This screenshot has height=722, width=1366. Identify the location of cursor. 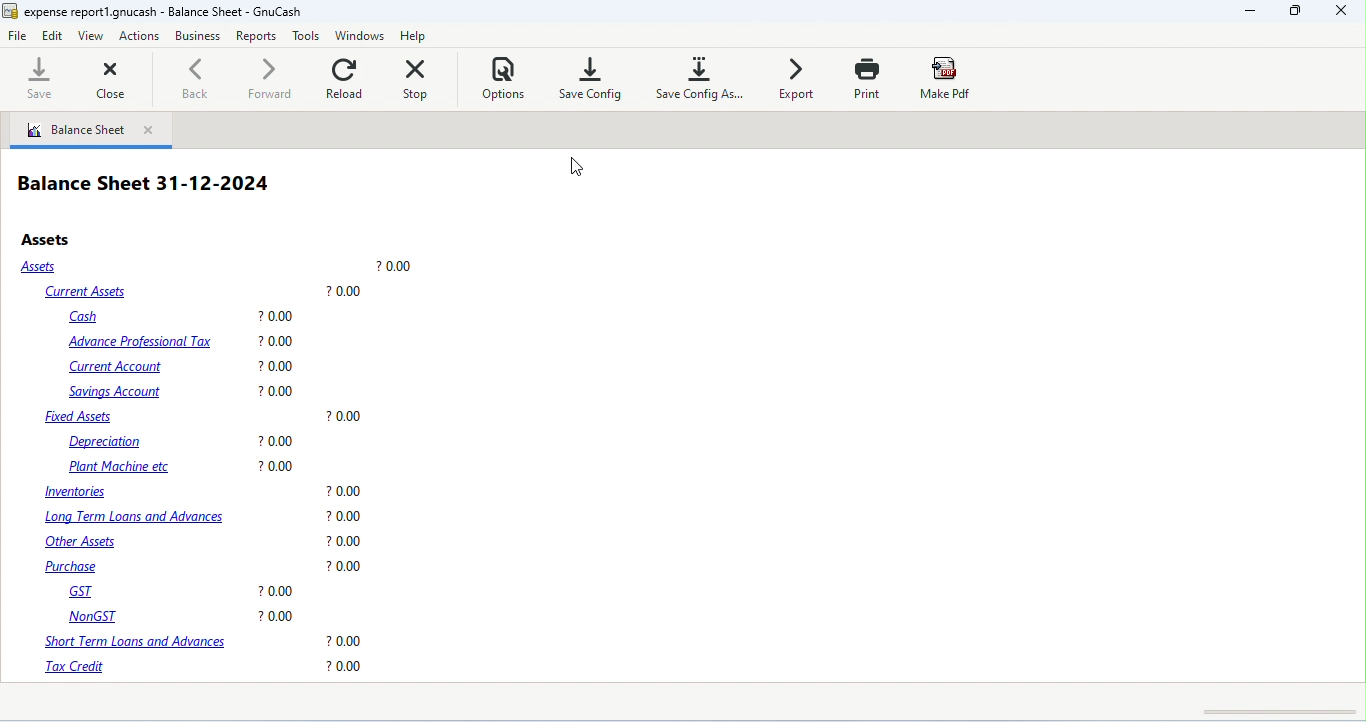
(577, 166).